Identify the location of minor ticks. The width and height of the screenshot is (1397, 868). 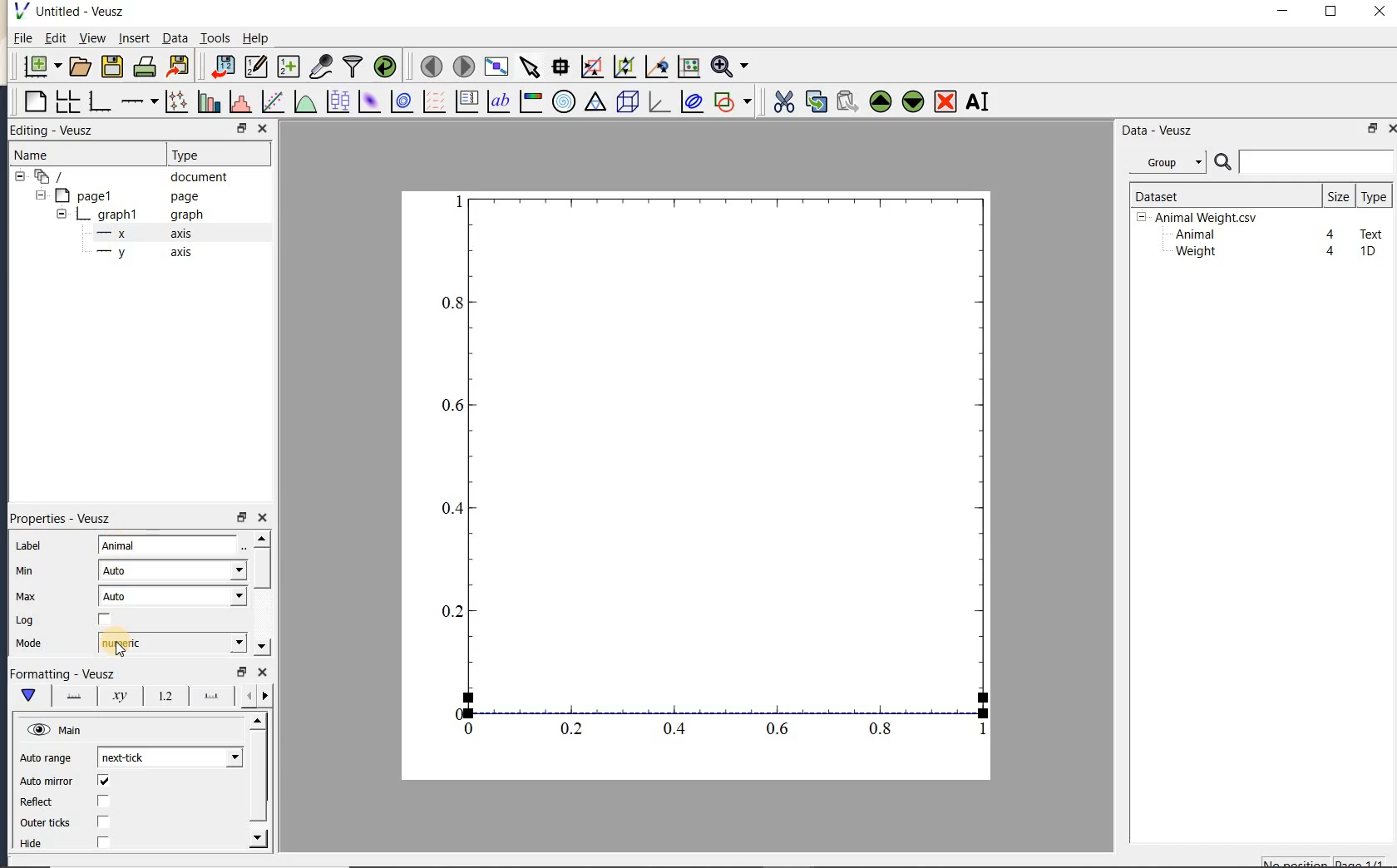
(254, 696).